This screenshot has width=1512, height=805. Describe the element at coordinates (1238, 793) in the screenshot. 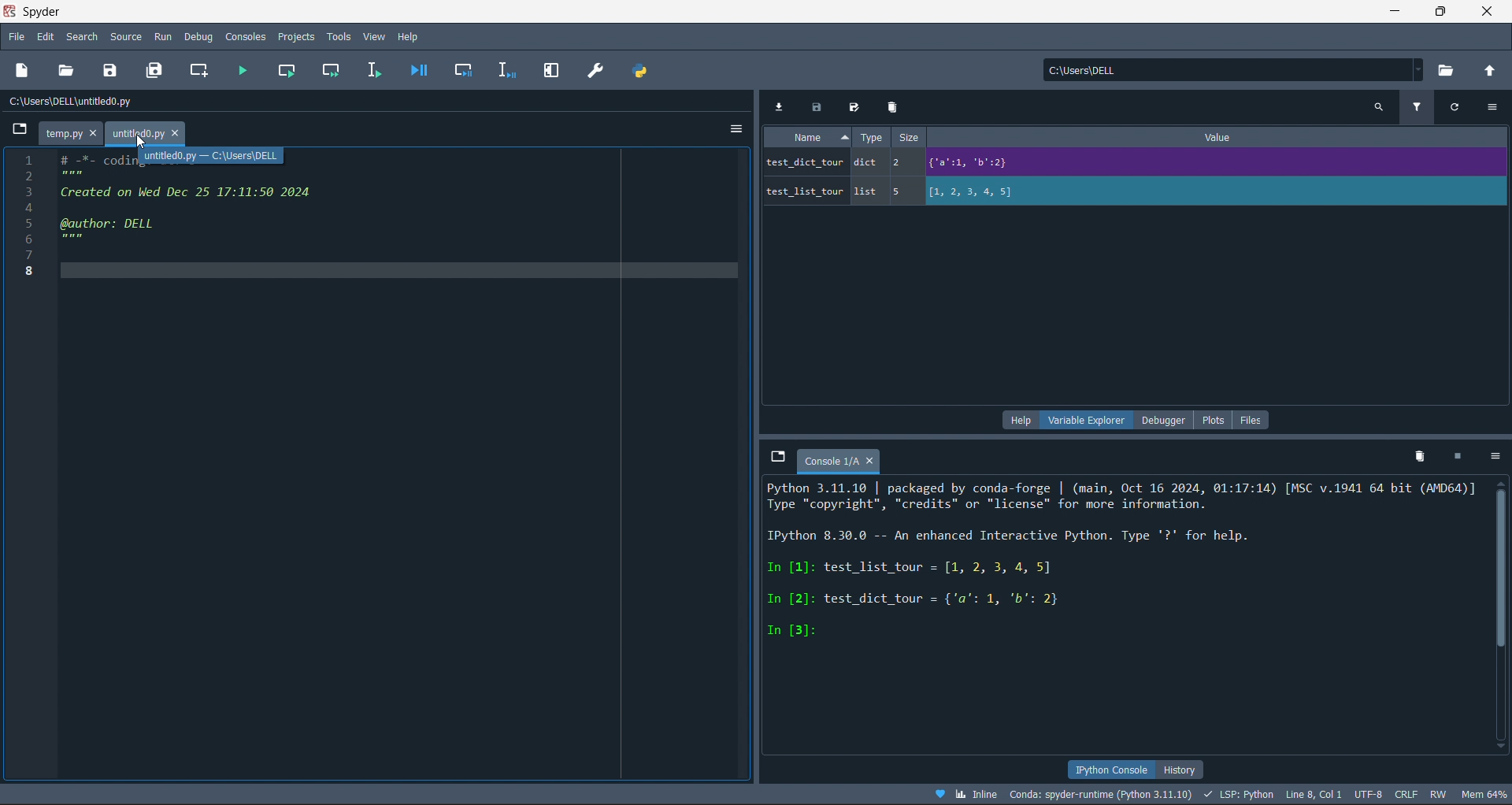

I see `LSP: Python` at that location.